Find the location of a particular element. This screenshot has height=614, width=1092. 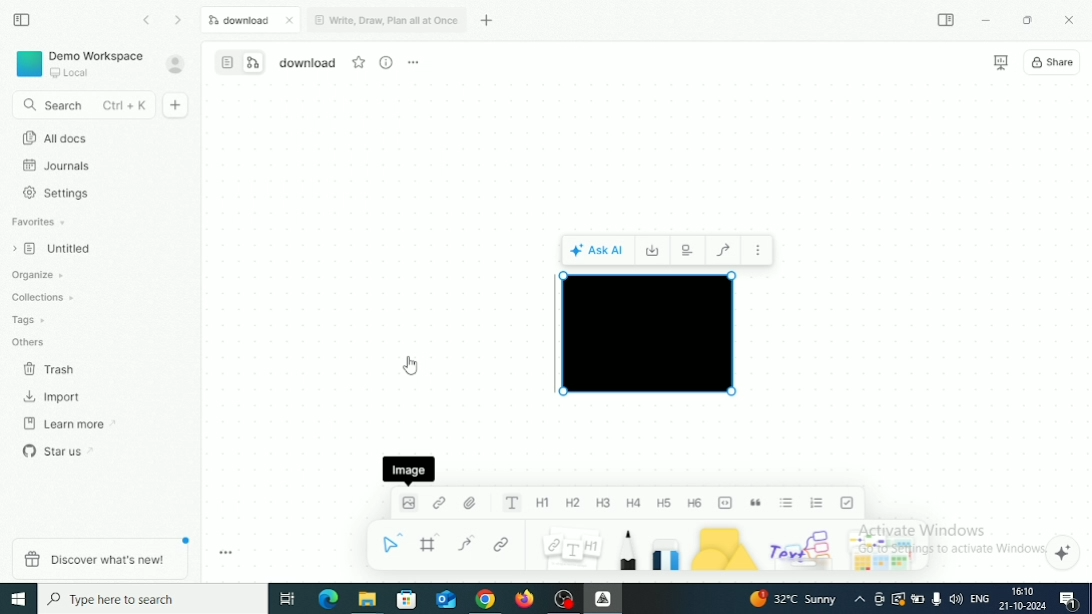

Bulleted list is located at coordinates (787, 503).